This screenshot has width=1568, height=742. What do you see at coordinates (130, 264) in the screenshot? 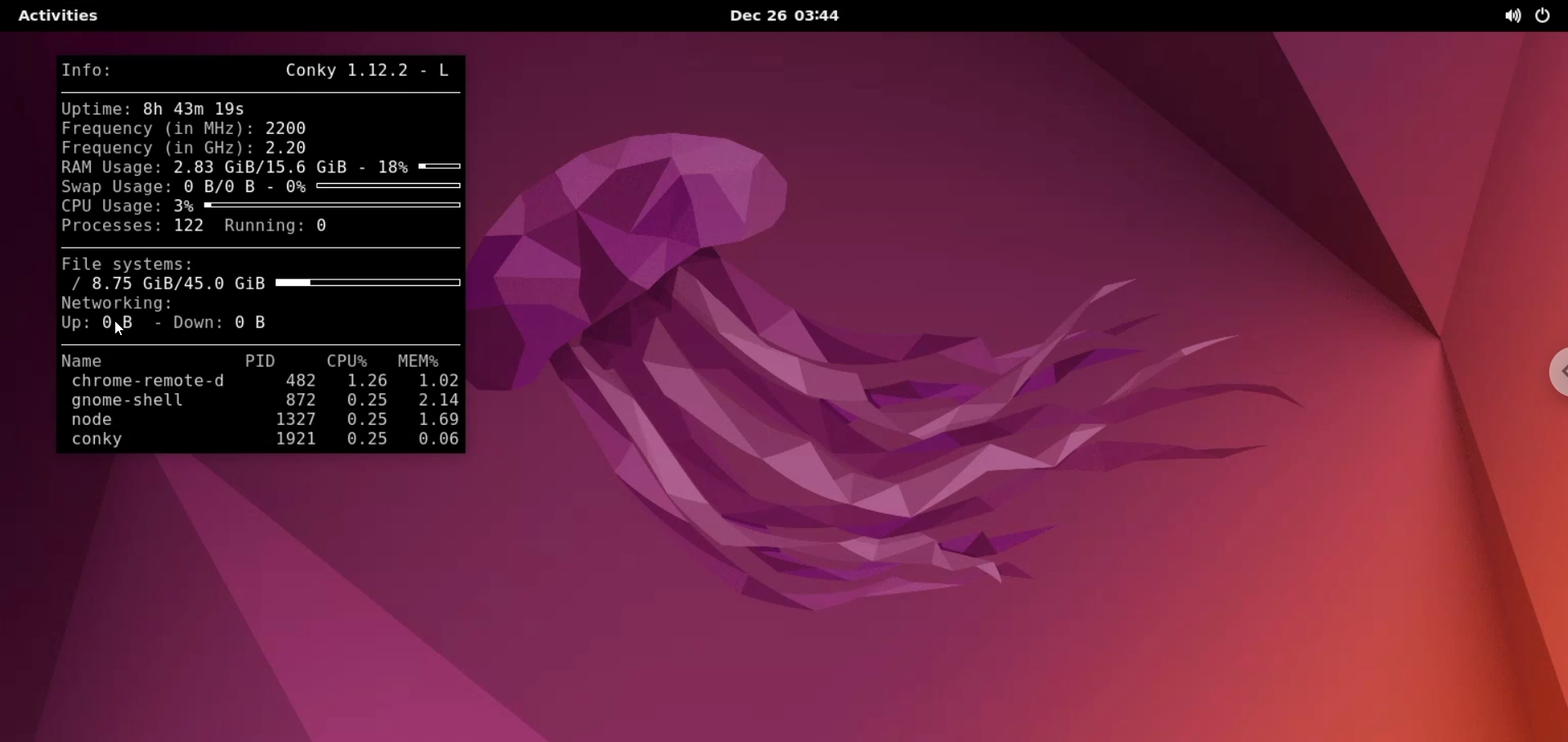
I see `File systems:` at bounding box center [130, 264].